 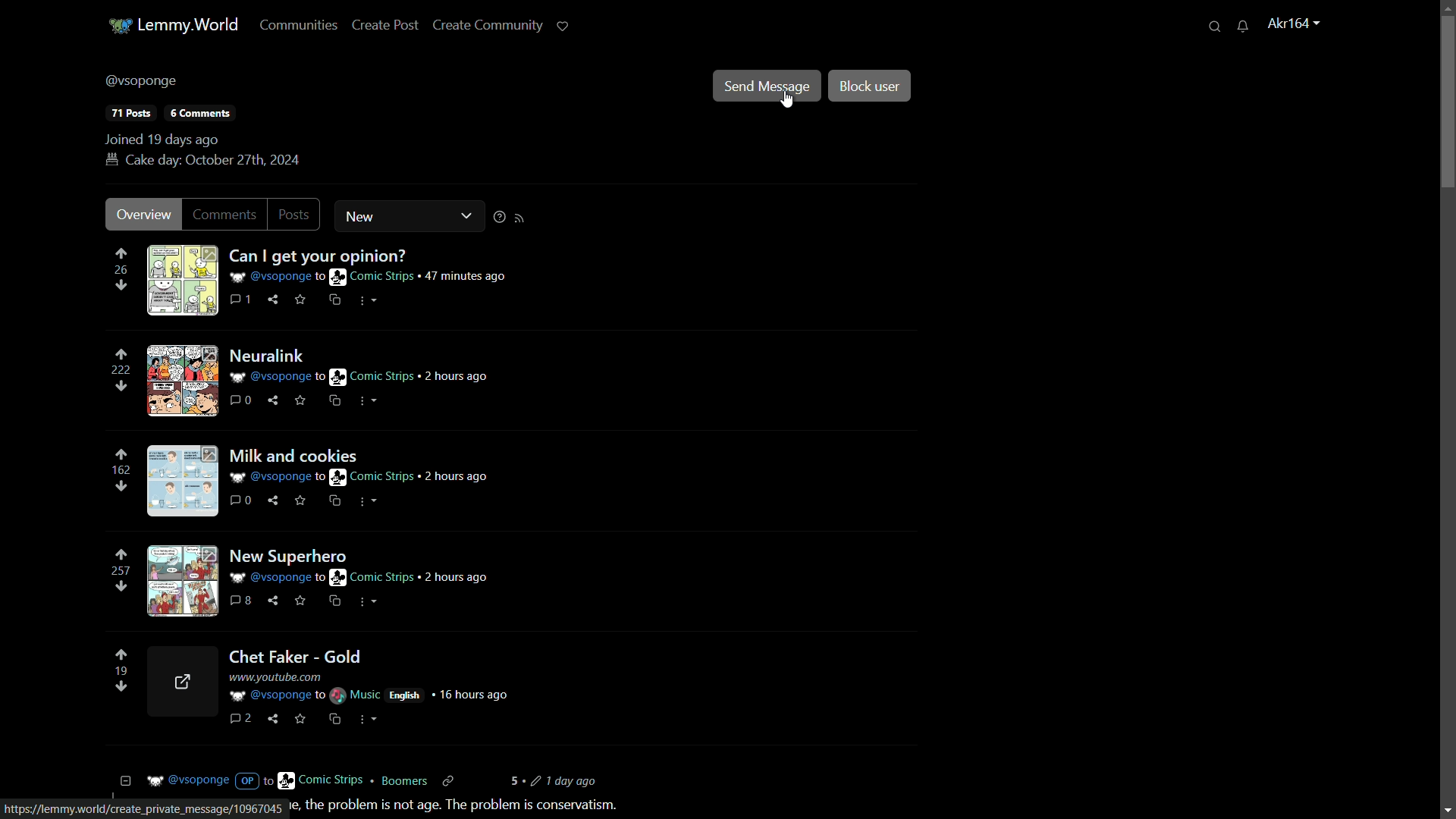 What do you see at coordinates (368, 400) in the screenshot?
I see `more` at bounding box center [368, 400].